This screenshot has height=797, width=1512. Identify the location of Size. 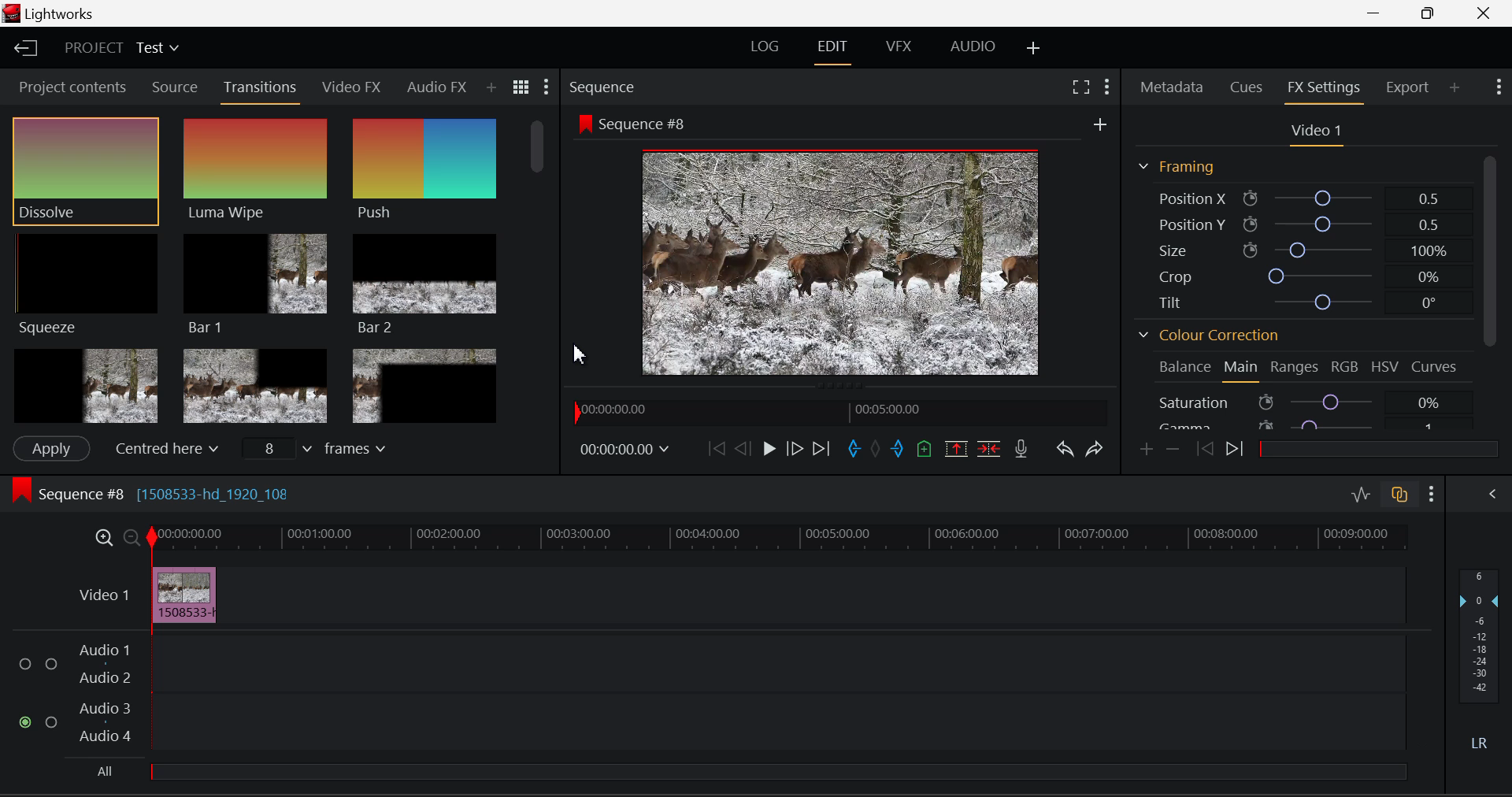
(1306, 248).